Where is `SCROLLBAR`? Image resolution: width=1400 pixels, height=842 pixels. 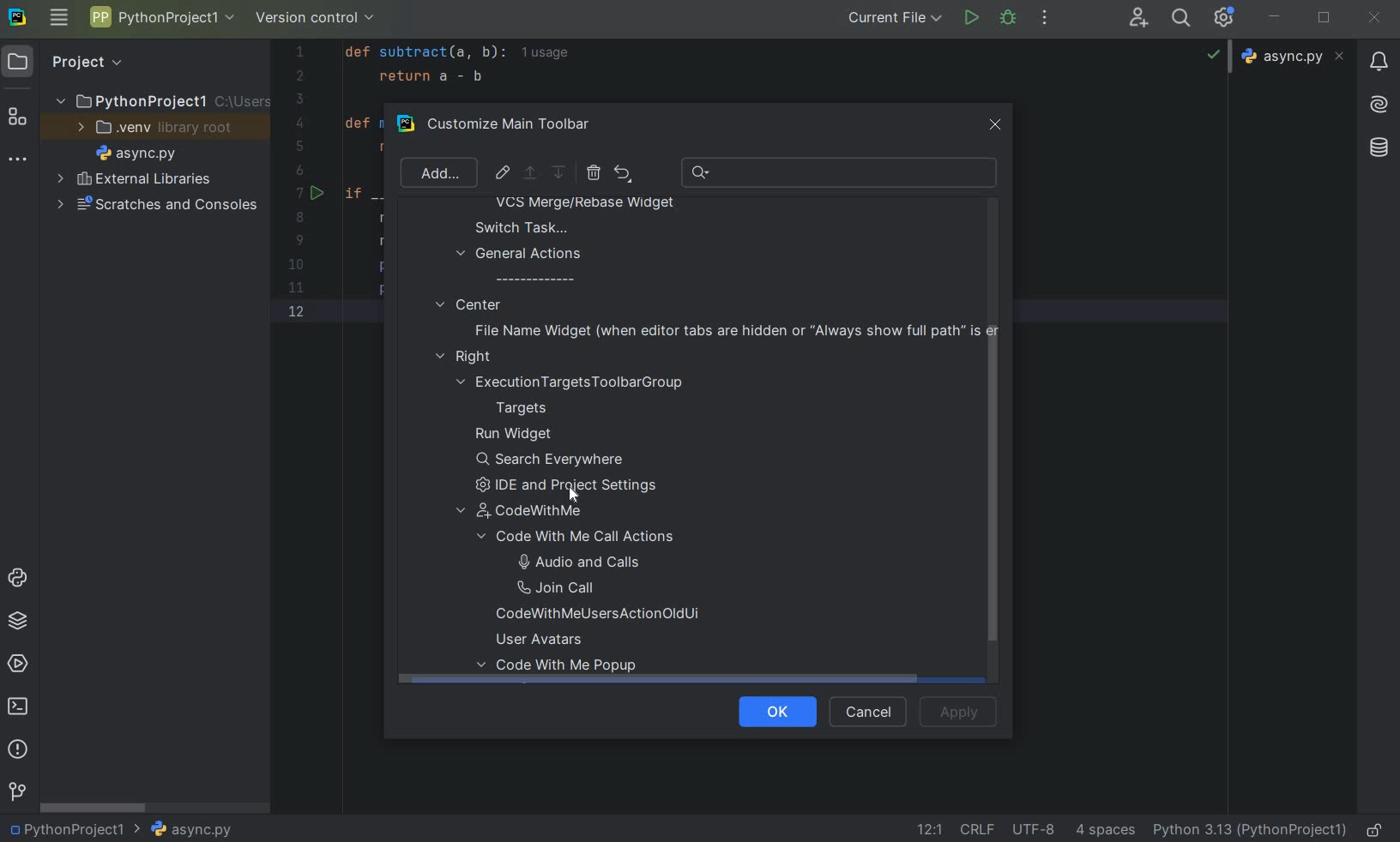
SCROLLBAR is located at coordinates (94, 806).